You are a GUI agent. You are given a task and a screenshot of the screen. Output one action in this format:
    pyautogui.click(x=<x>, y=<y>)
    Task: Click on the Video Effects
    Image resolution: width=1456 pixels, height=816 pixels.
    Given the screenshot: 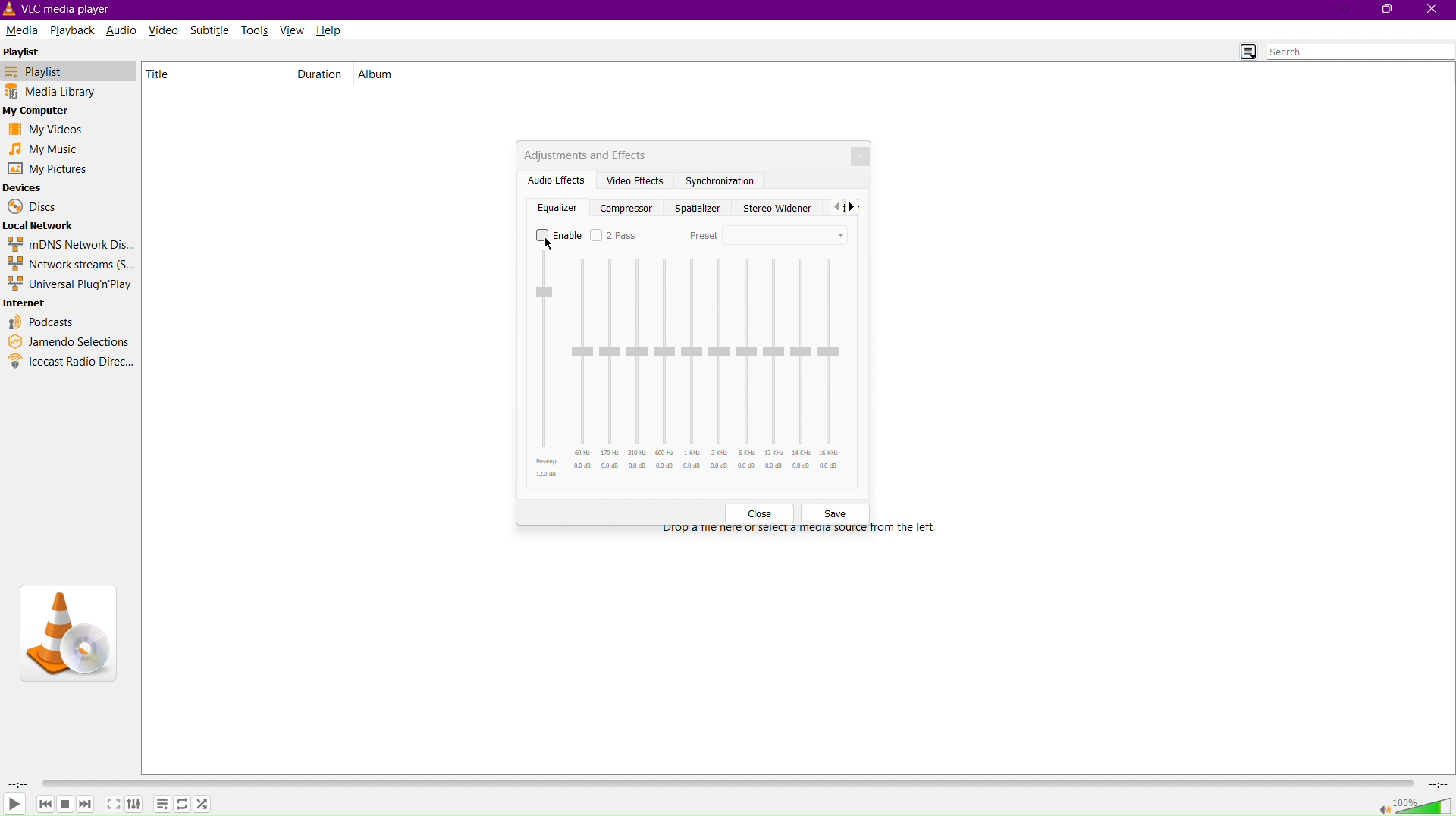 What is the action you would take?
    pyautogui.click(x=635, y=180)
    